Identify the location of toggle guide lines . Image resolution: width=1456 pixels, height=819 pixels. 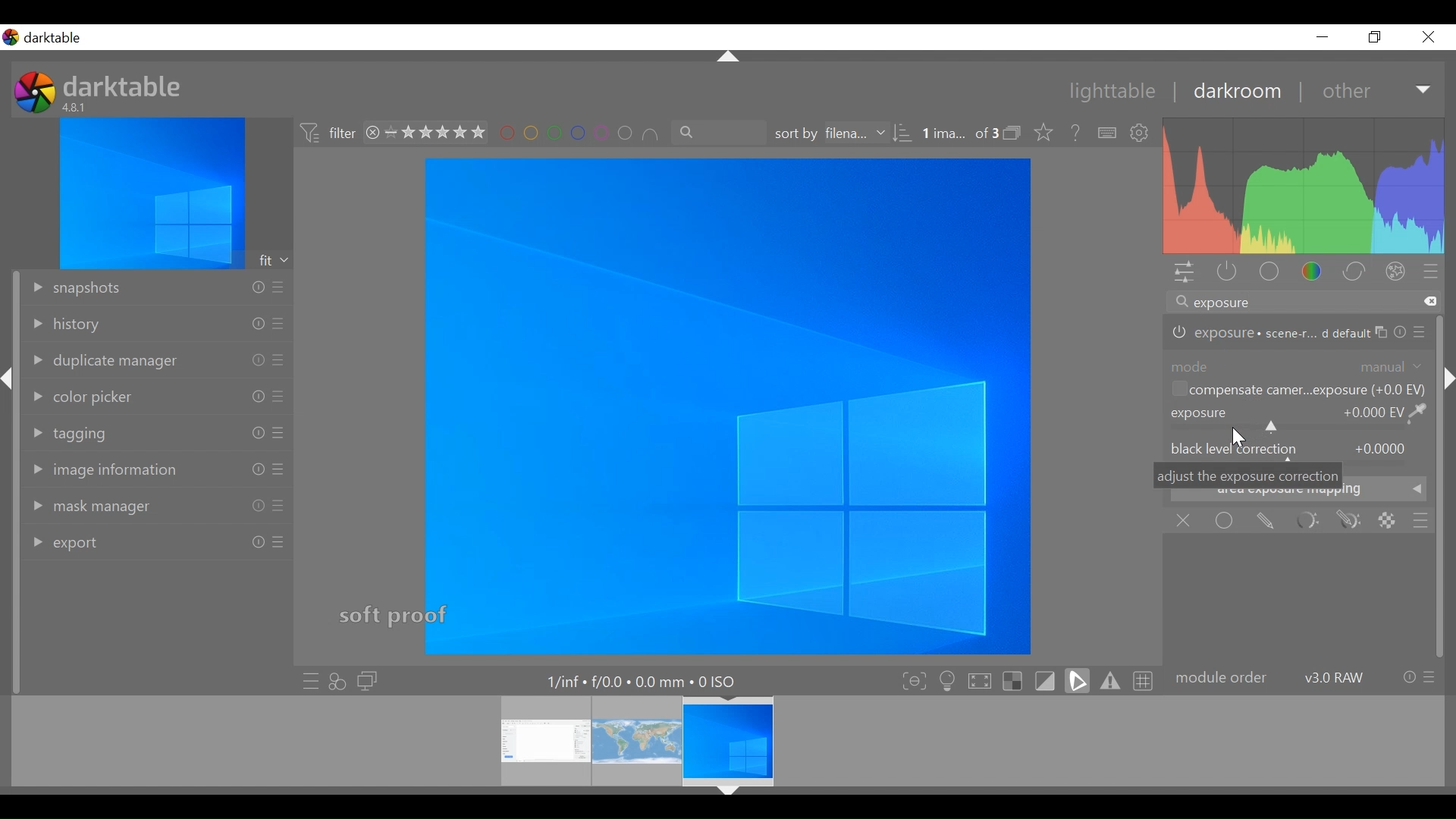
(1144, 681).